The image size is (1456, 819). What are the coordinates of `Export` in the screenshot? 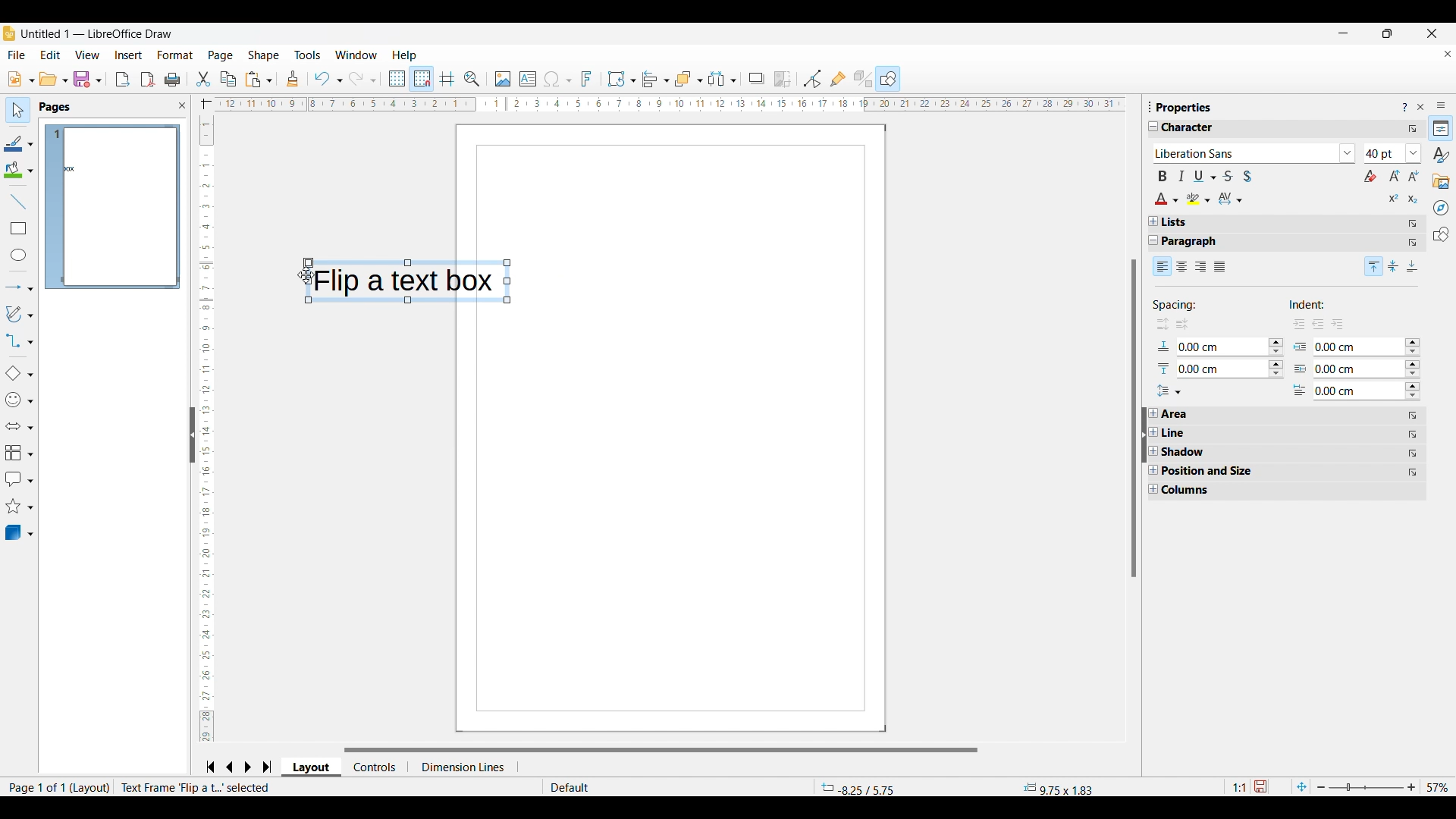 It's located at (123, 80).